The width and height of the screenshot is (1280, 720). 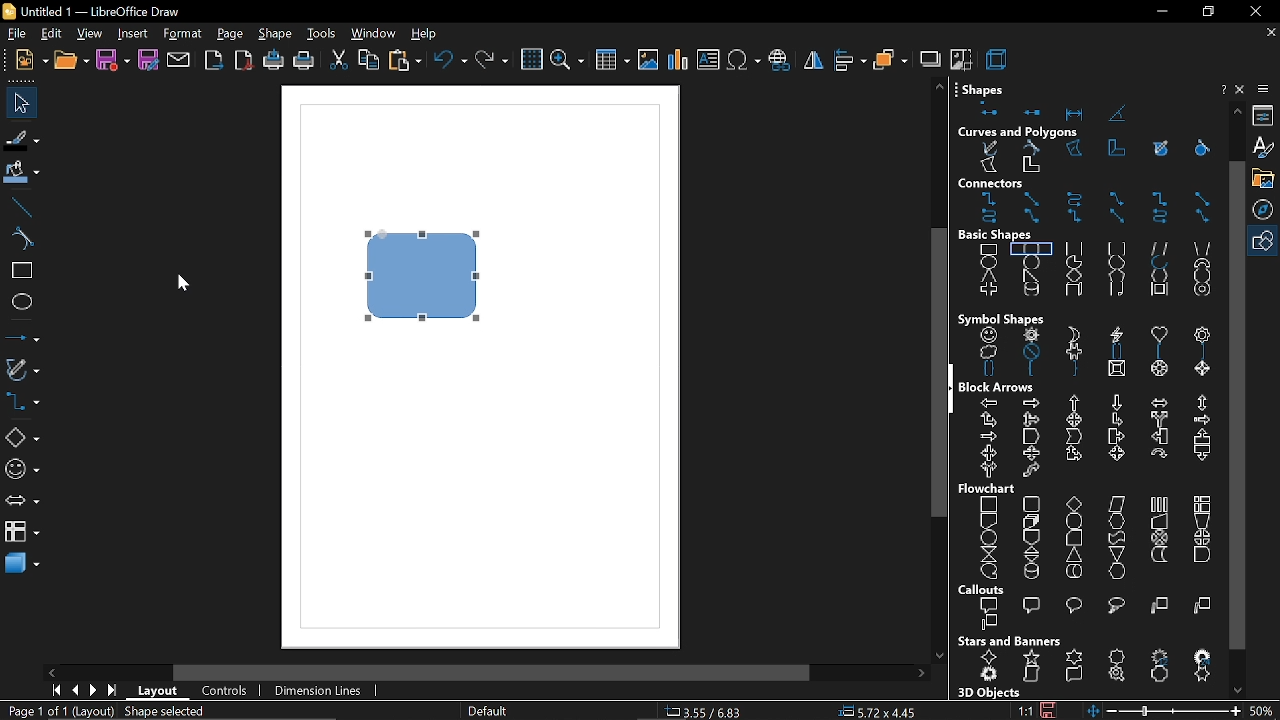 I want to click on dimension lines, so click(x=320, y=692).